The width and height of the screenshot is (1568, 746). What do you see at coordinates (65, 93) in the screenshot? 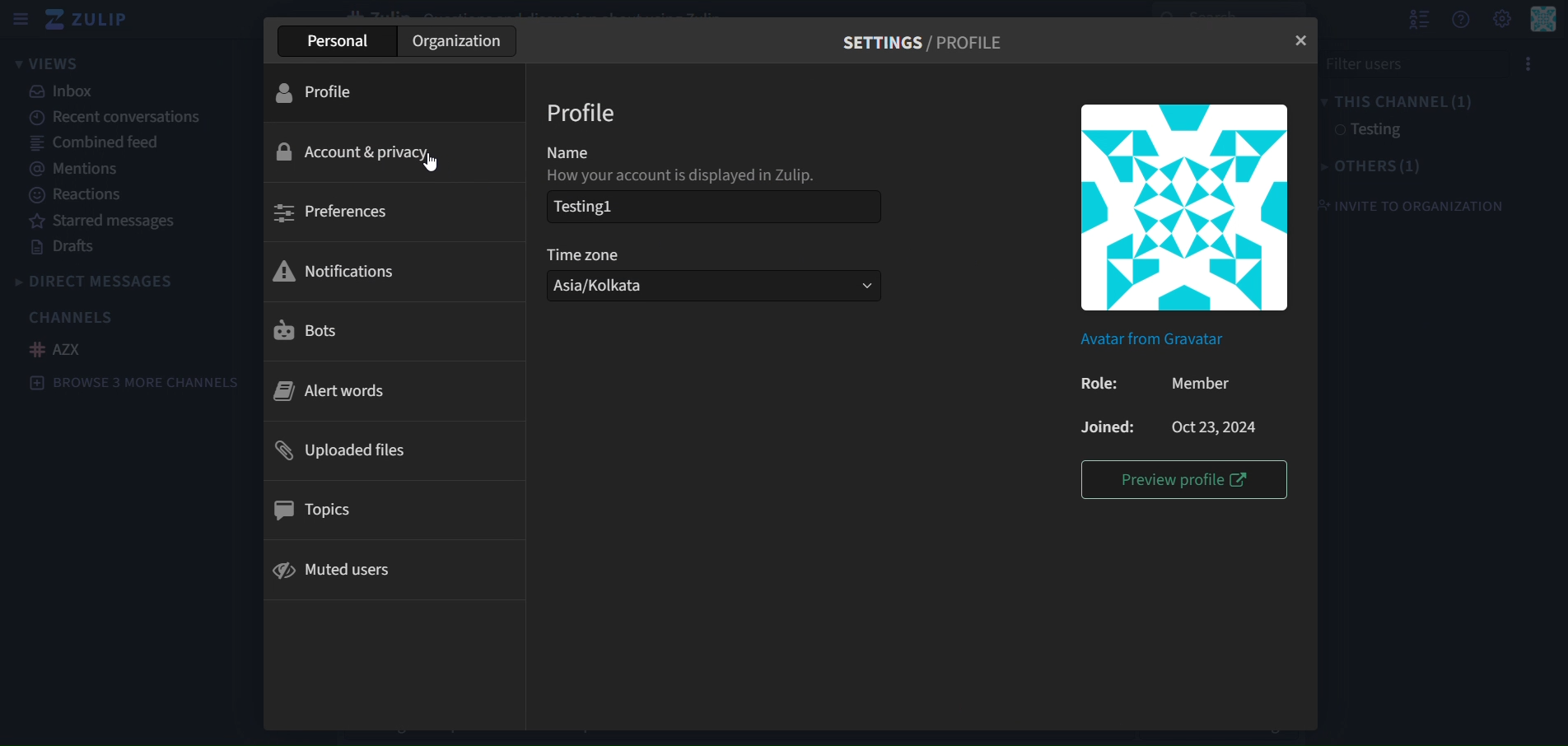
I see `inbox` at bounding box center [65, 93].